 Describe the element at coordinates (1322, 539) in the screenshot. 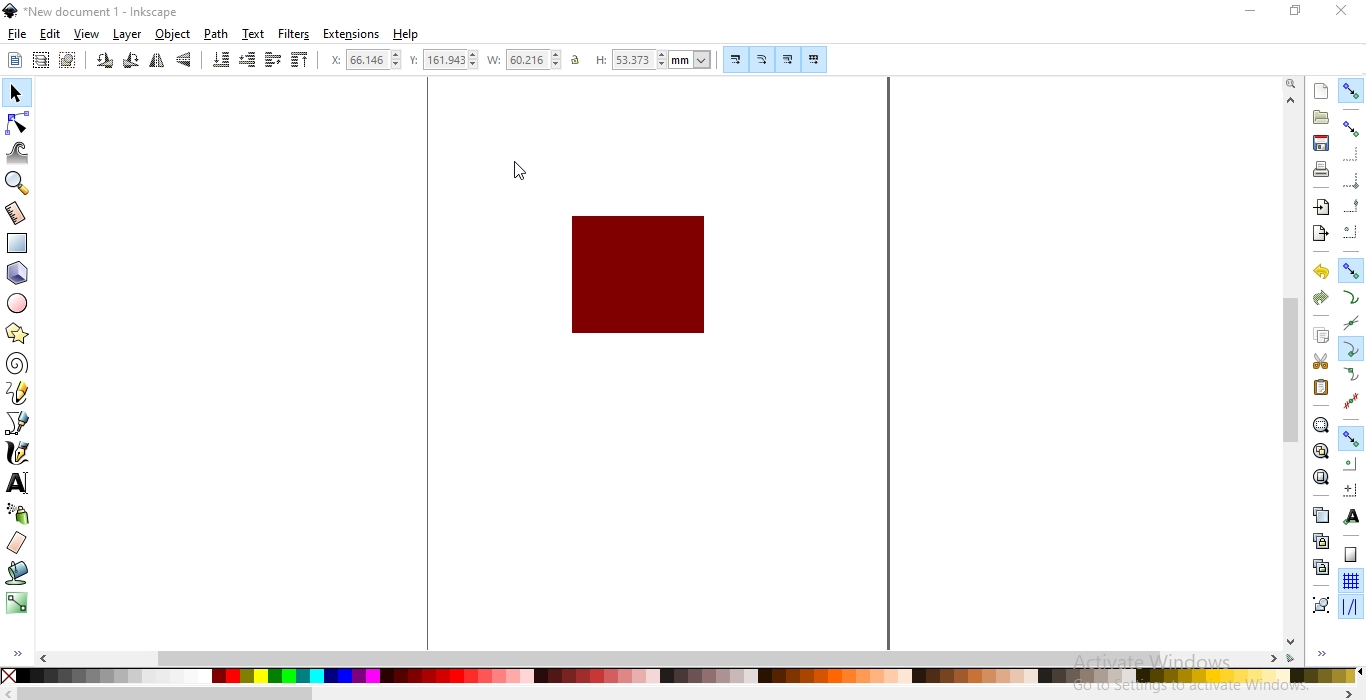

I see `create a clone` at that location.